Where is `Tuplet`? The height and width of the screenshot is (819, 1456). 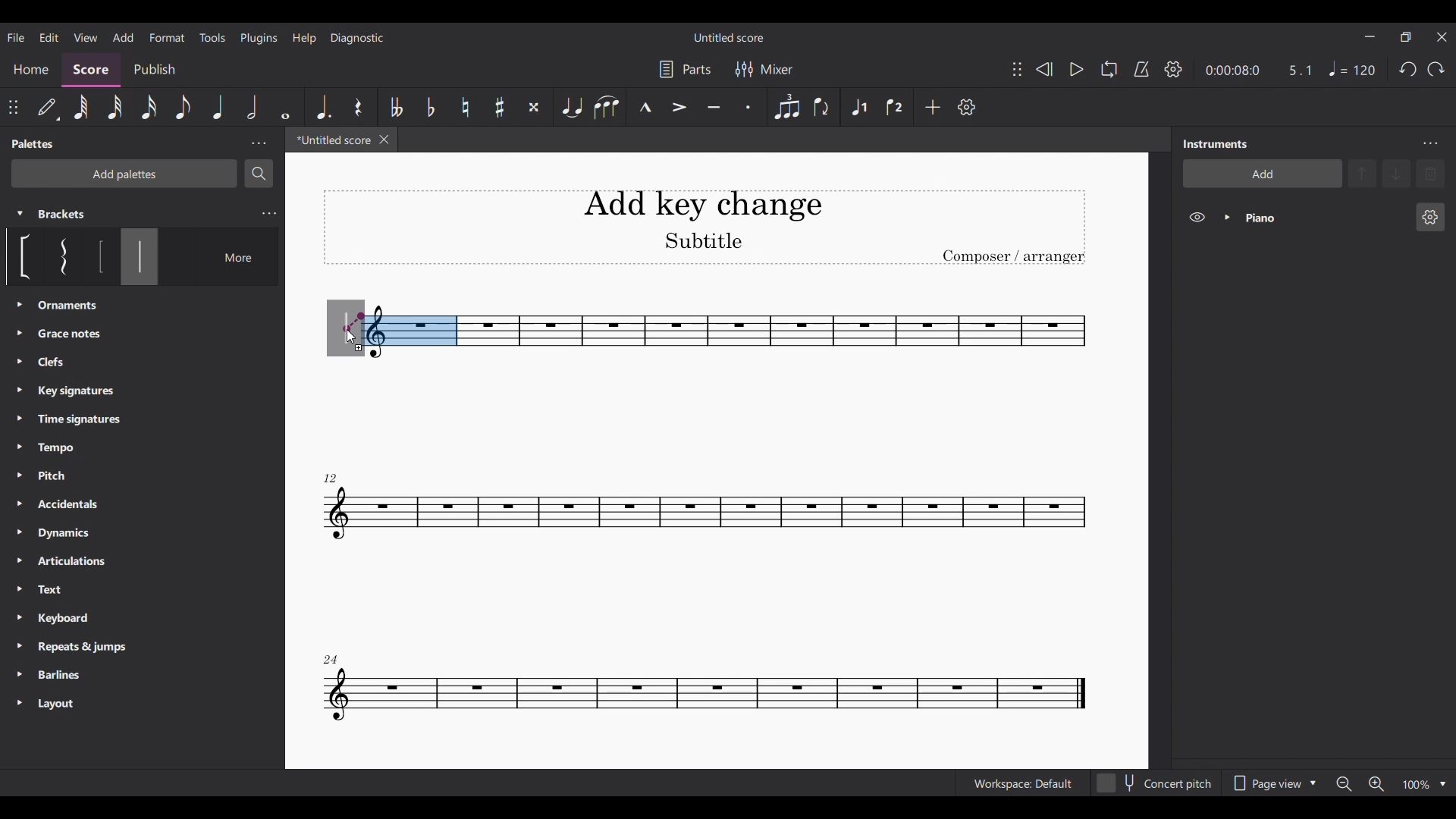 Tuplet is located at coordinates (787, 107).